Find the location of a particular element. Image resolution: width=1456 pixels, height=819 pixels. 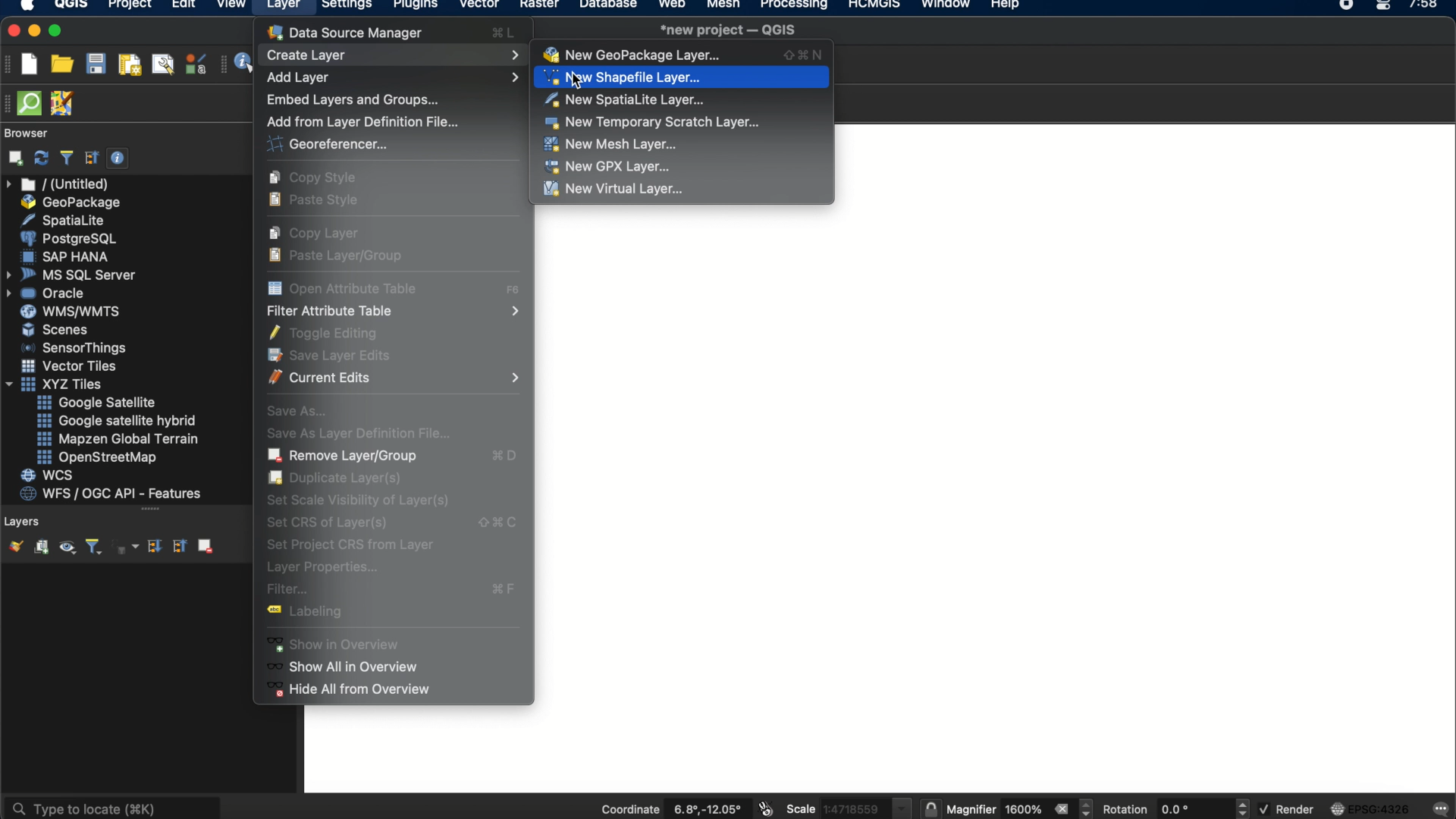

7:58 is located at coordinates (1425, 9).